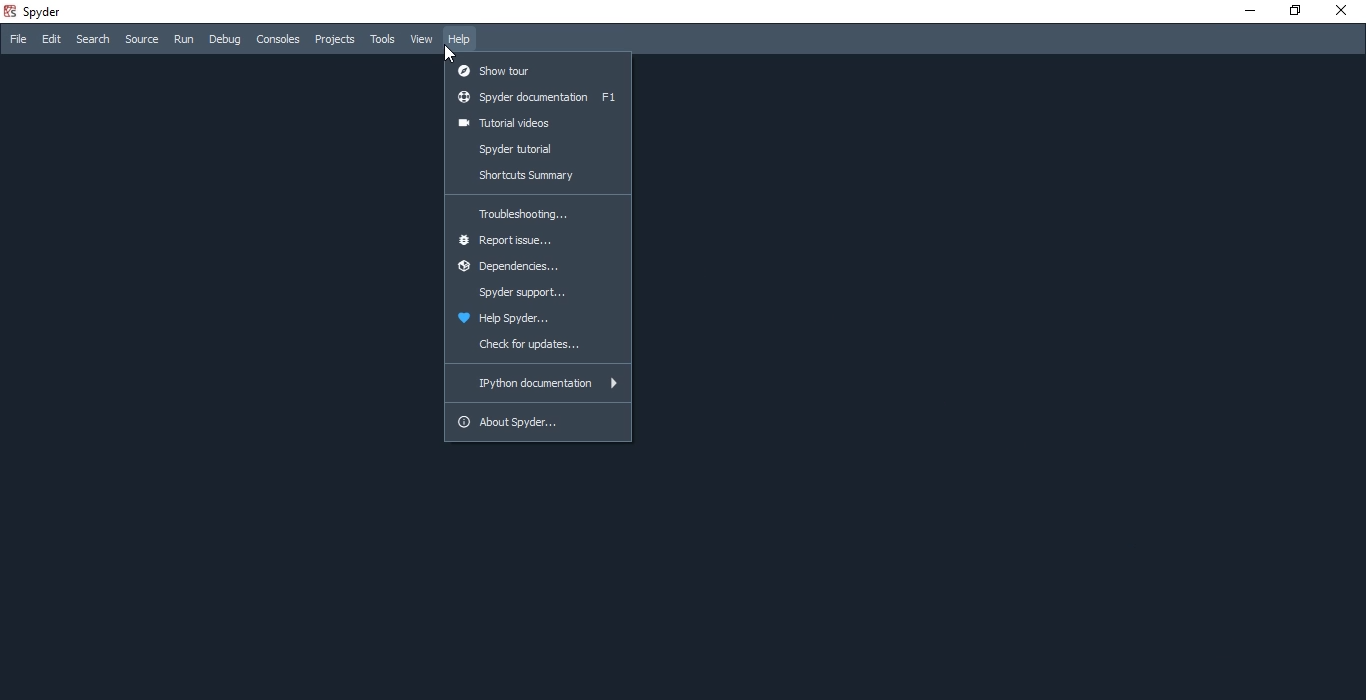  Describe the element at coordinates (540, 241) in the screenshot. I see `report issue` at that location.